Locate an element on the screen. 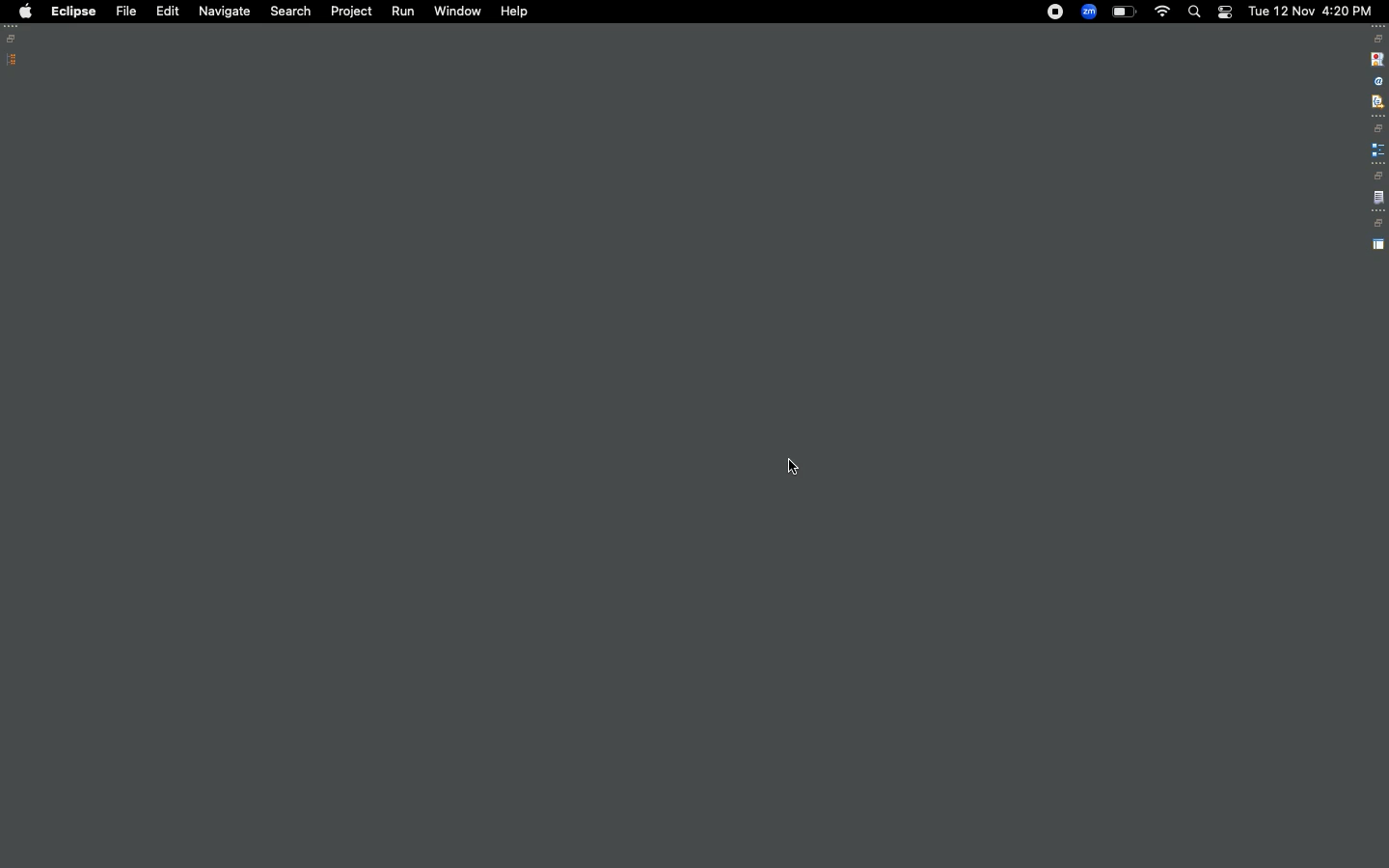 The width and height of the screenshot is (1389, 868). filter is located at coordinates (1376, 101).